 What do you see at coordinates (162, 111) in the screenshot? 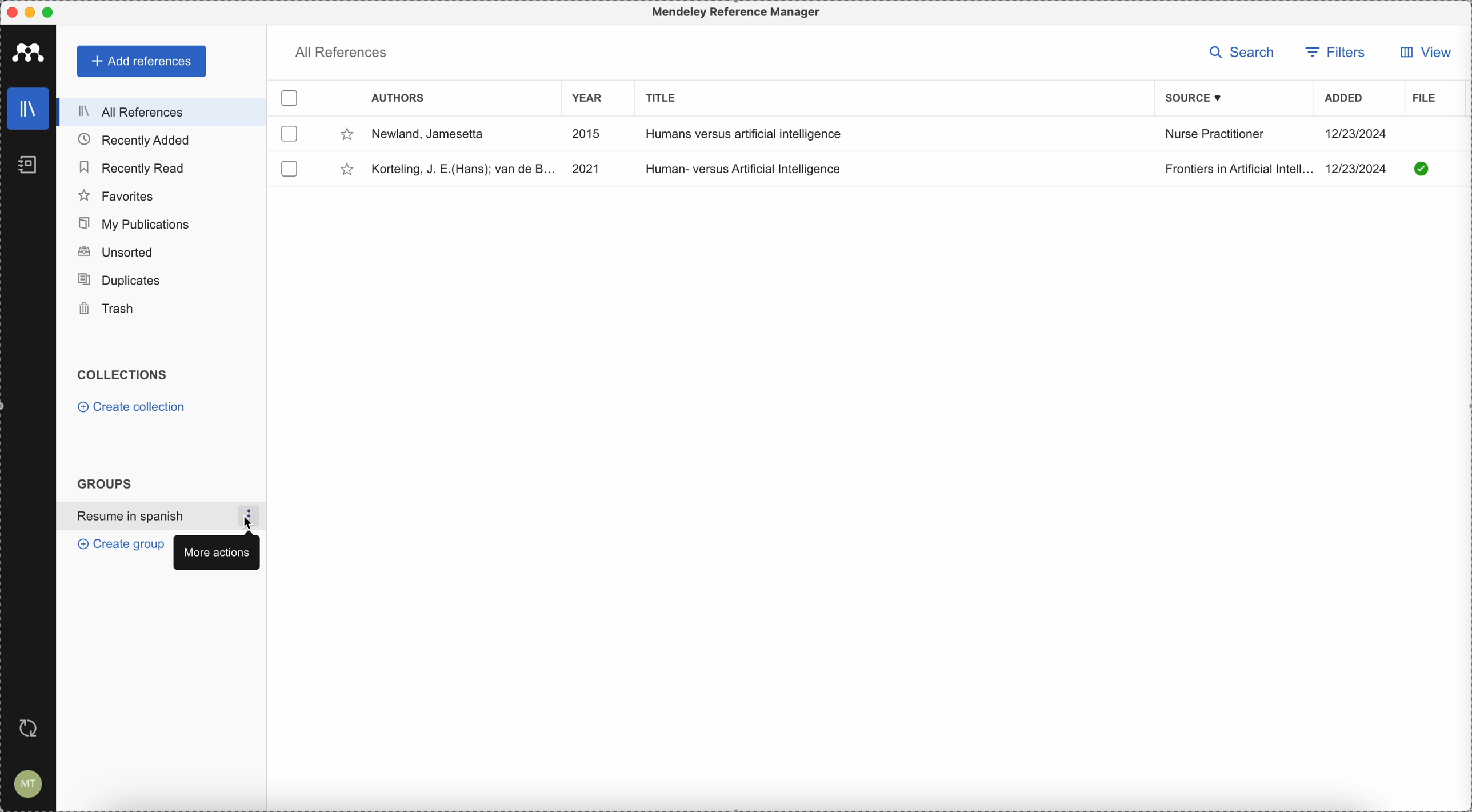
I see `all references` at bounding box center [162, 111].